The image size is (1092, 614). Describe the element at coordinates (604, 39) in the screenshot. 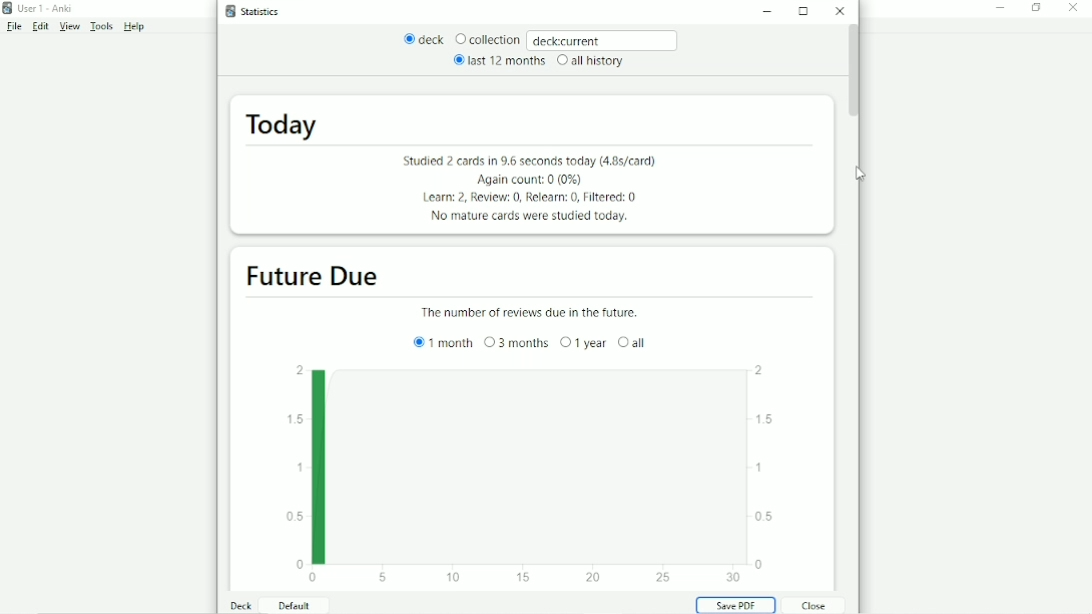

I see `deck:current` at that location.